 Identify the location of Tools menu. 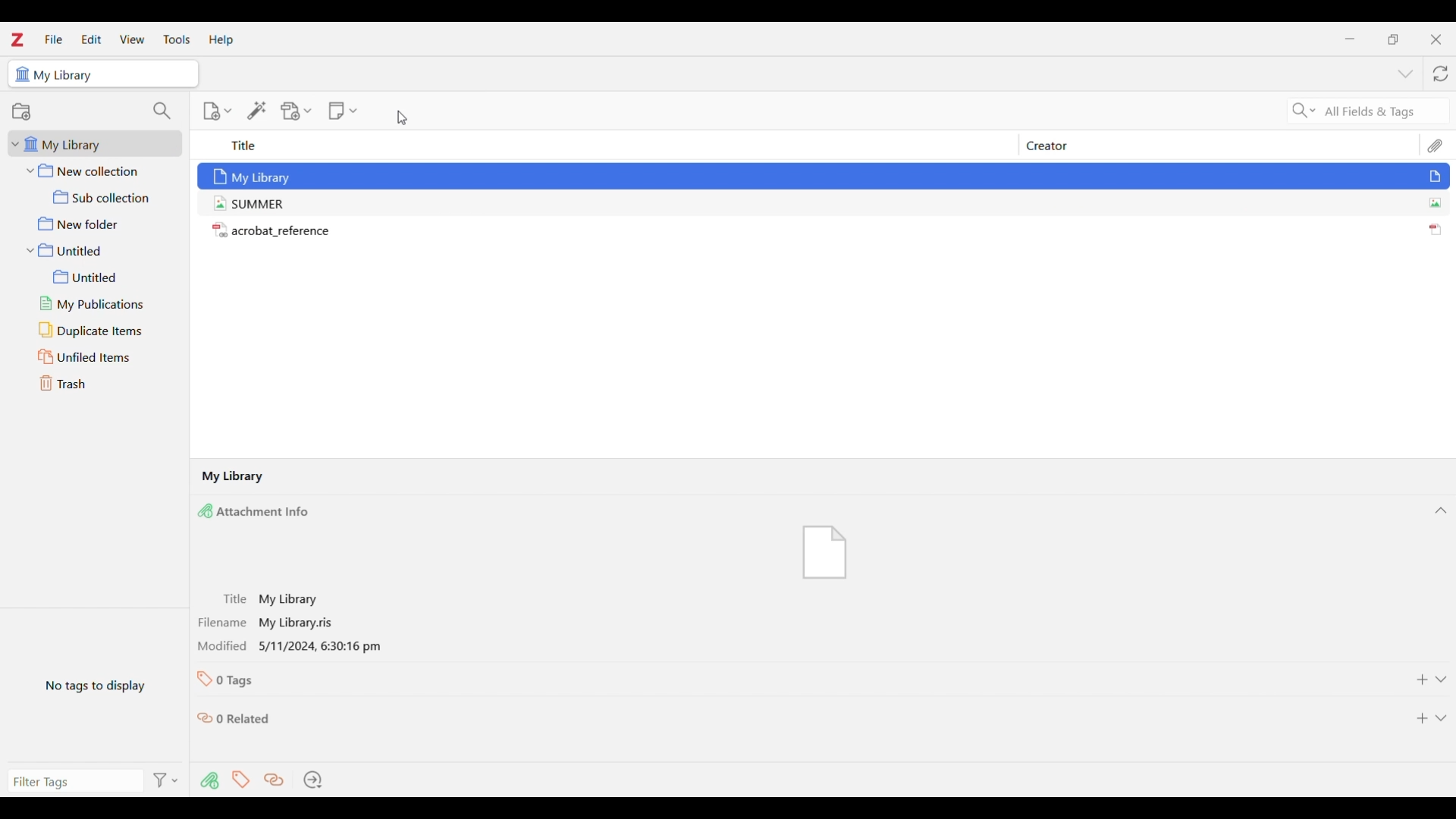
(177, 39).